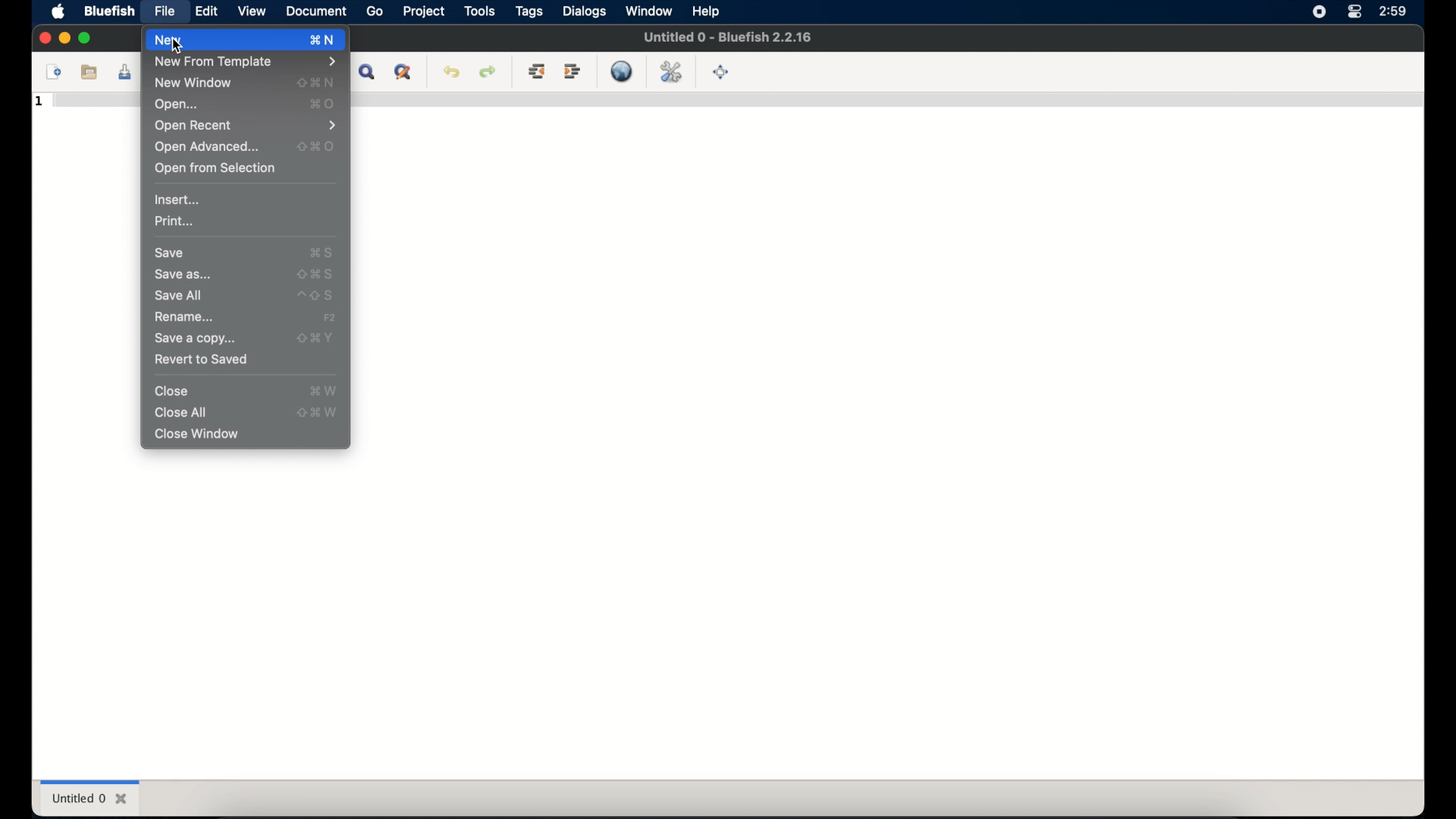 The height and width of the screenshot is (819, 1456). Describe the element at coordinates (125, 71) in the screenshot. I see `save current file` at that location.